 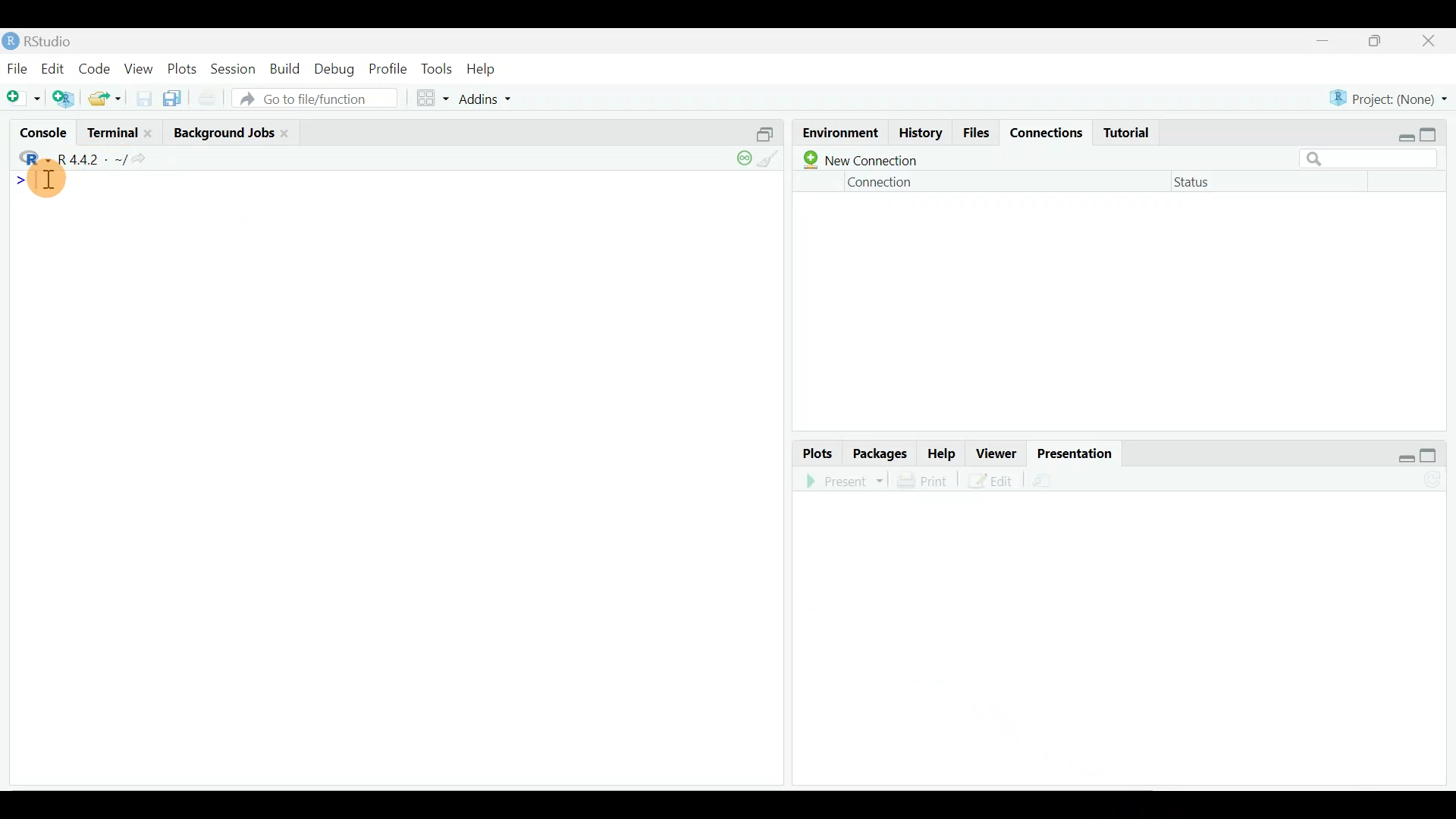 What do you see at coordinates (1400, 453) in the screenshot?
I see `restore down` at bounding box center [1400, 453].